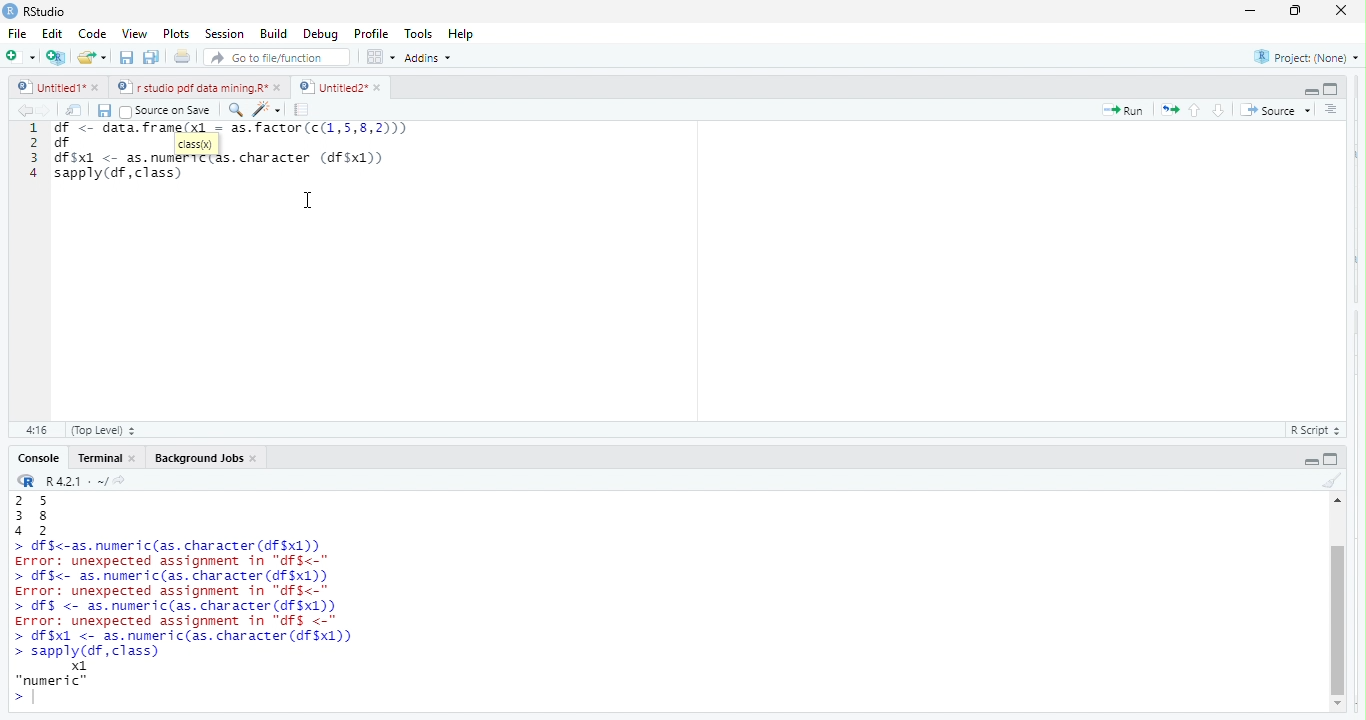 The height and width of the screenshot is (720, 1366). Describe the element at coordinates (50, 87) in the screenshot. I see ` Untitied1` at that location.